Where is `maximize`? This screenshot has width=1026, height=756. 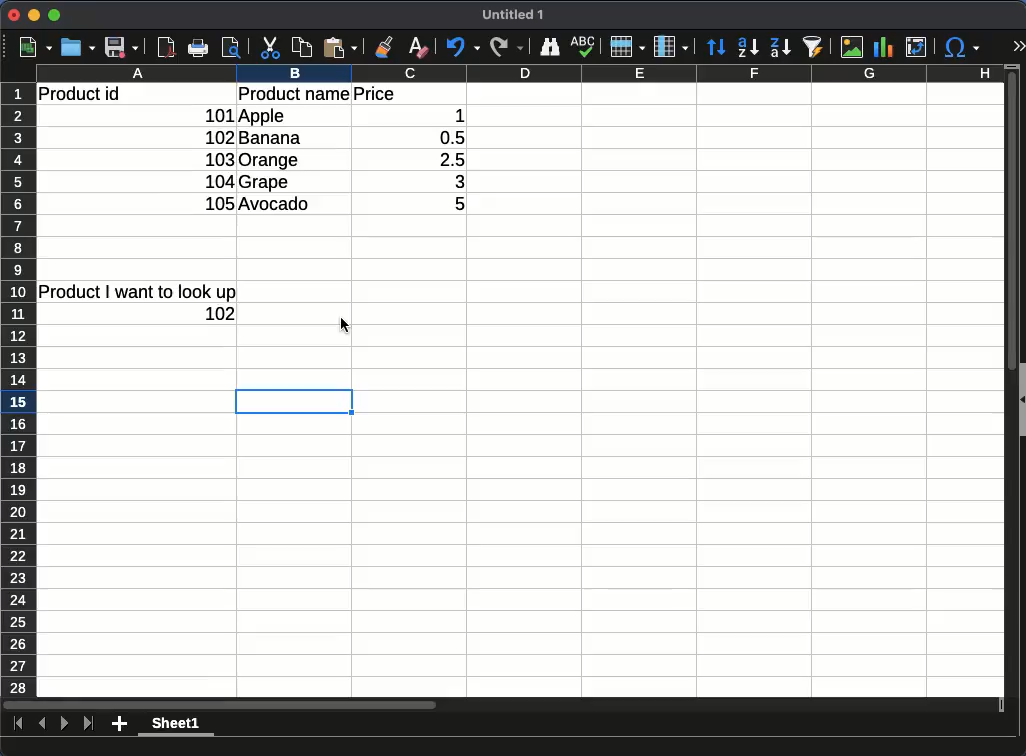
maximize is located at coordinates (54, 15).